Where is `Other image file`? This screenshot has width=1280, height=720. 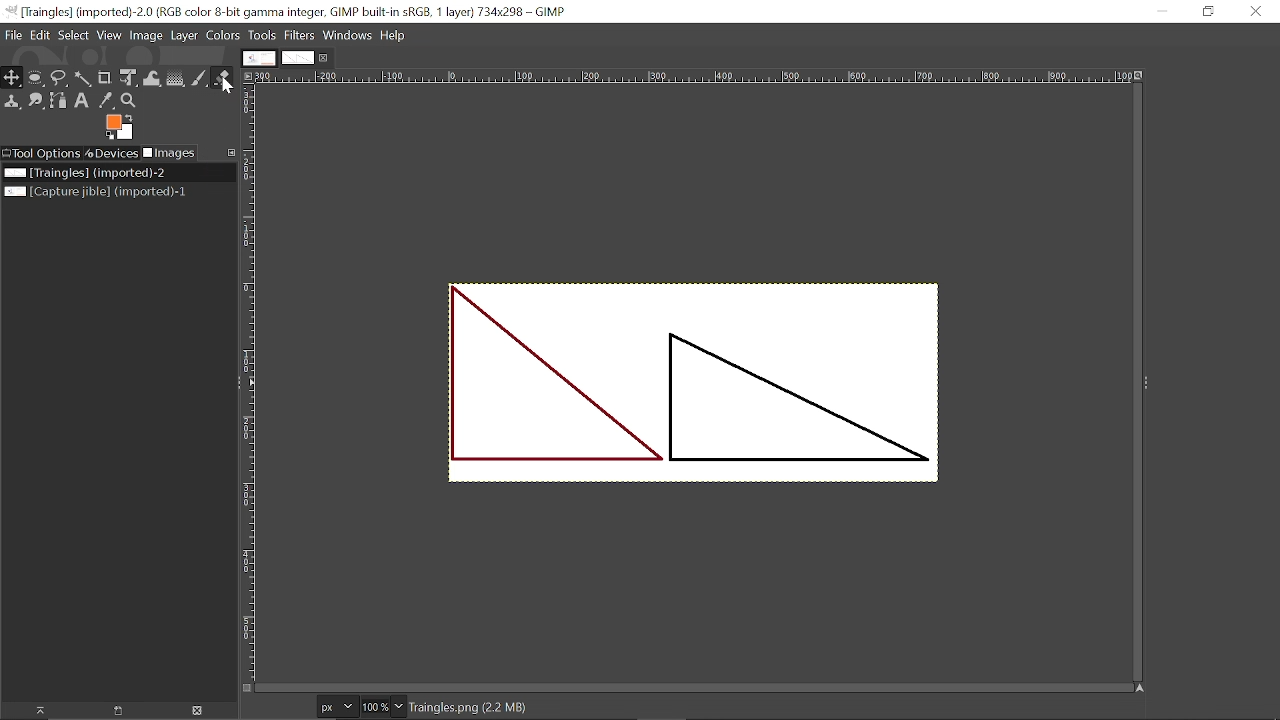
Other image file is located at coordinates (97, 192).